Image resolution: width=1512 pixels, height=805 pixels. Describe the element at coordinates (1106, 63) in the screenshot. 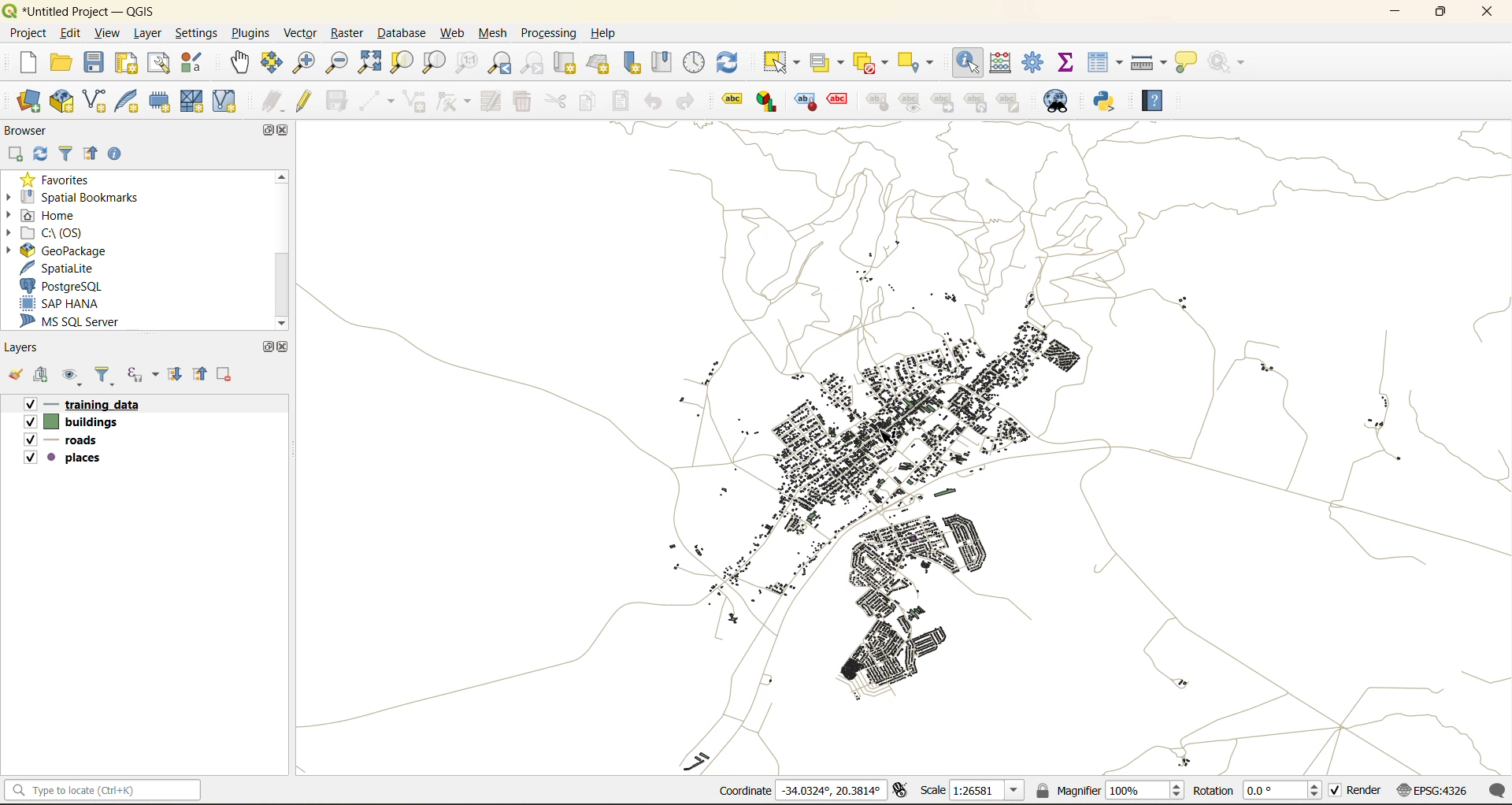

I see `attributes table` at that location.